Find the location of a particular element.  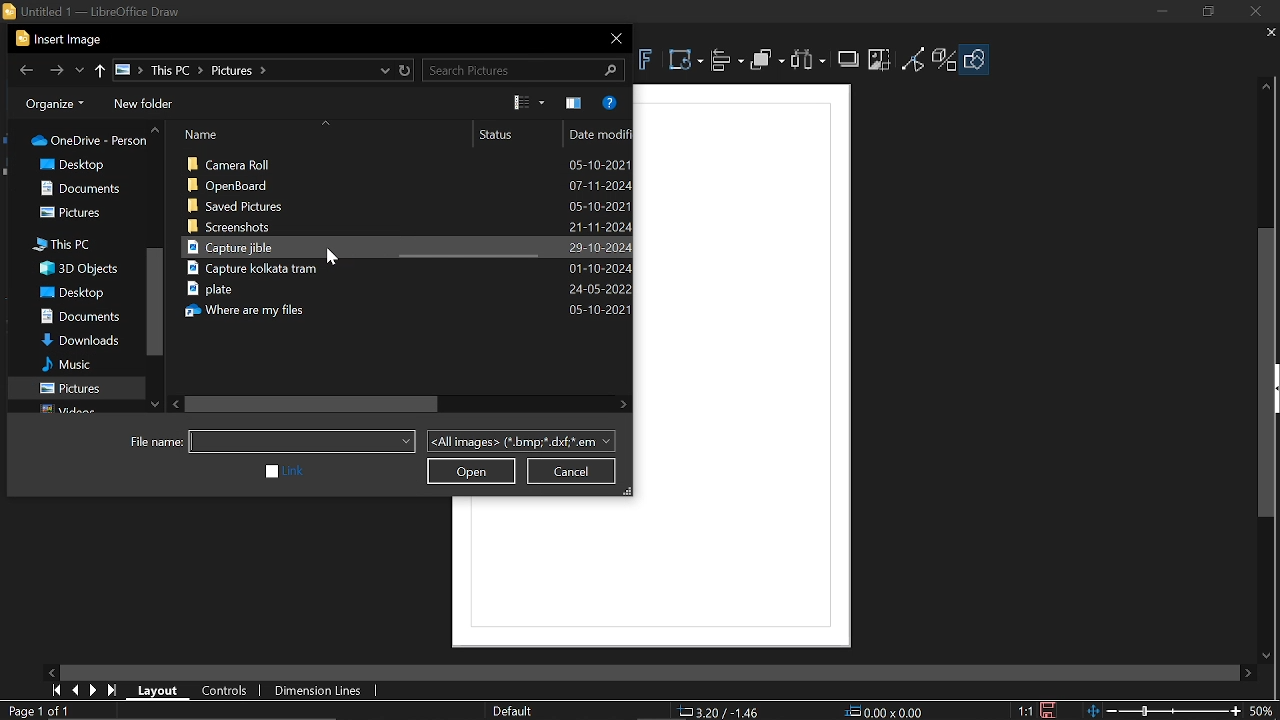

move down is located at coordinates (1272, 656).